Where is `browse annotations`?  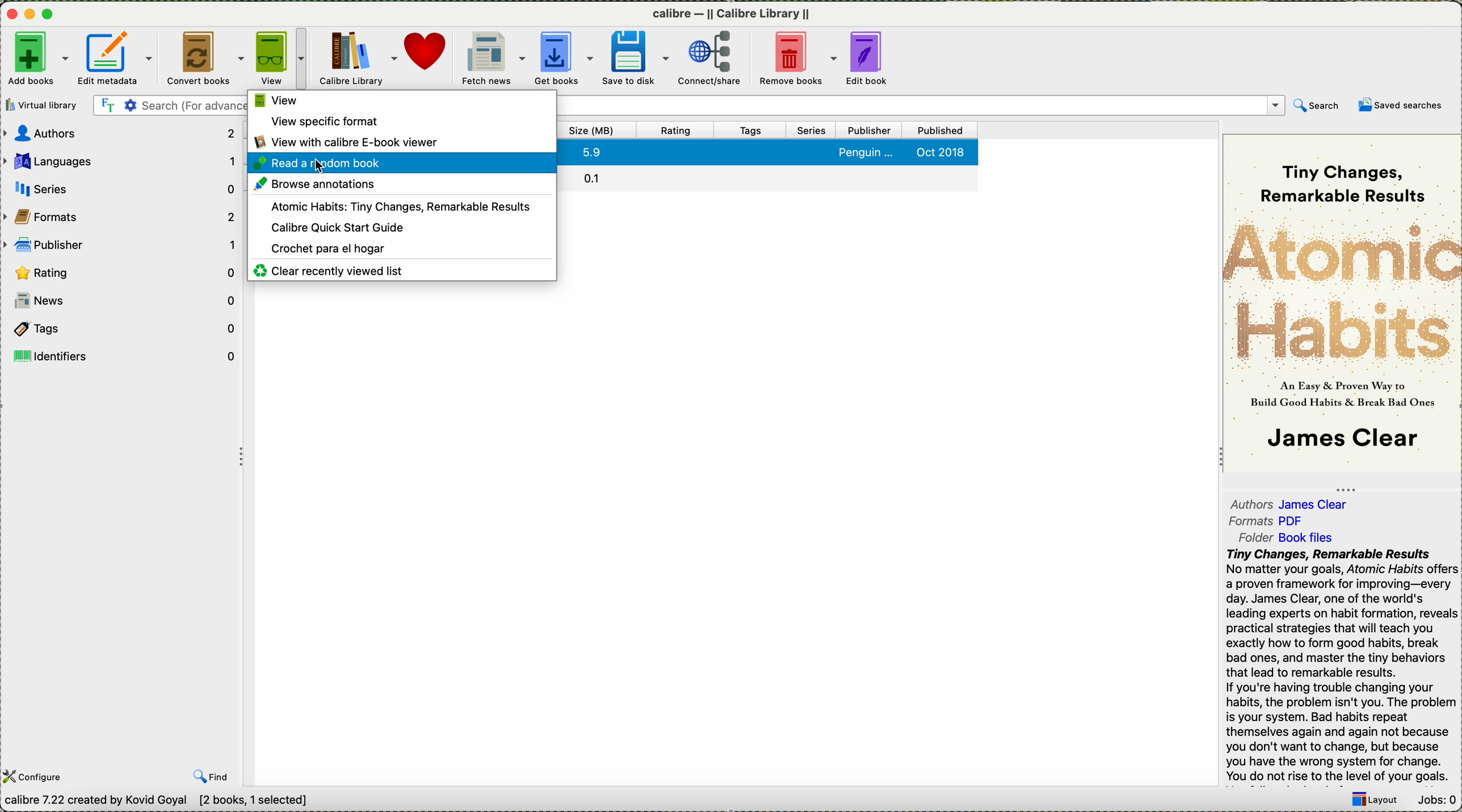 browse annotations is located at coordinates (325, 185).